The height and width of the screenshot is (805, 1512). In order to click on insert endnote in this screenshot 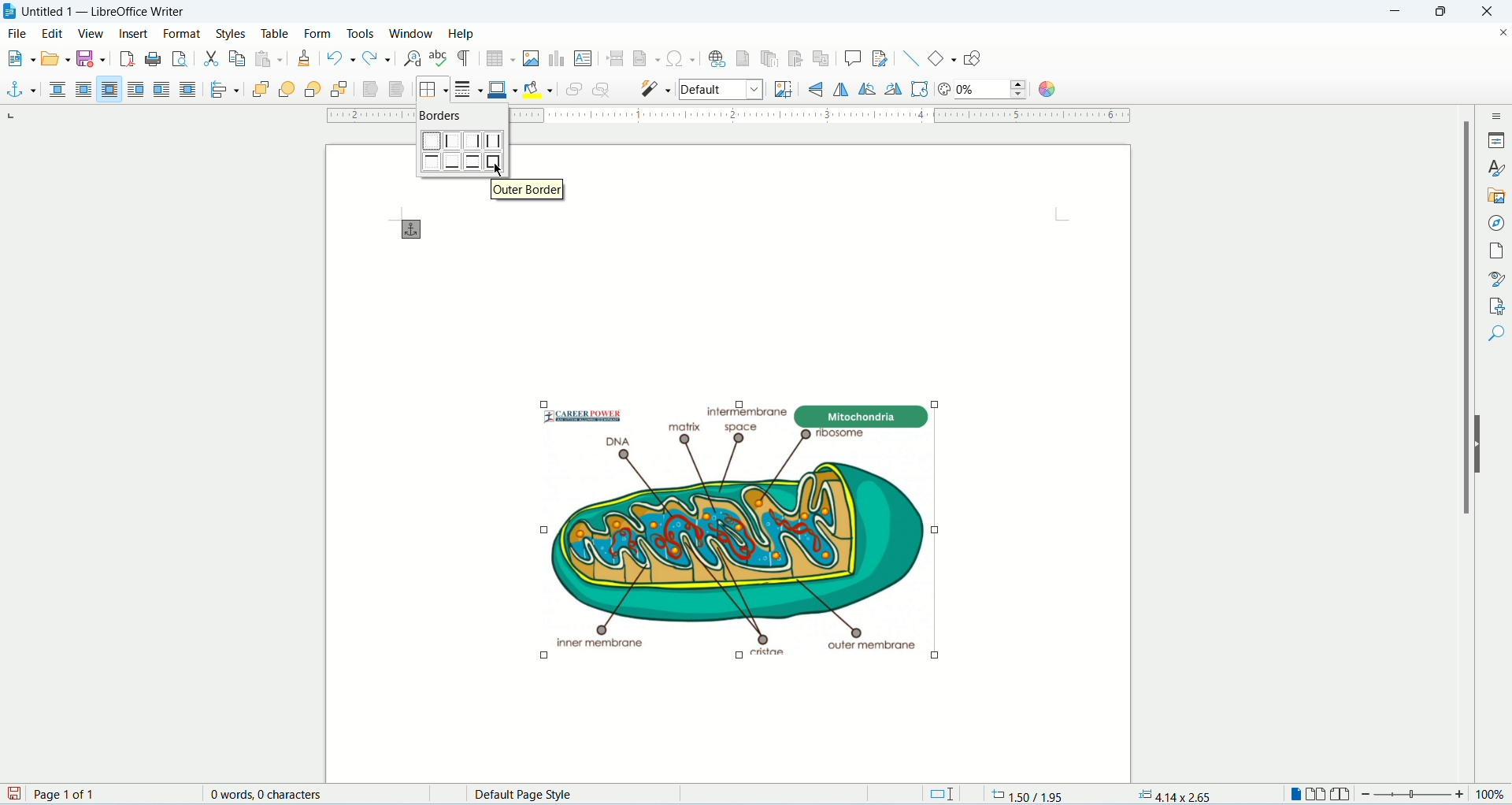, I will do `click(770, 58)`.